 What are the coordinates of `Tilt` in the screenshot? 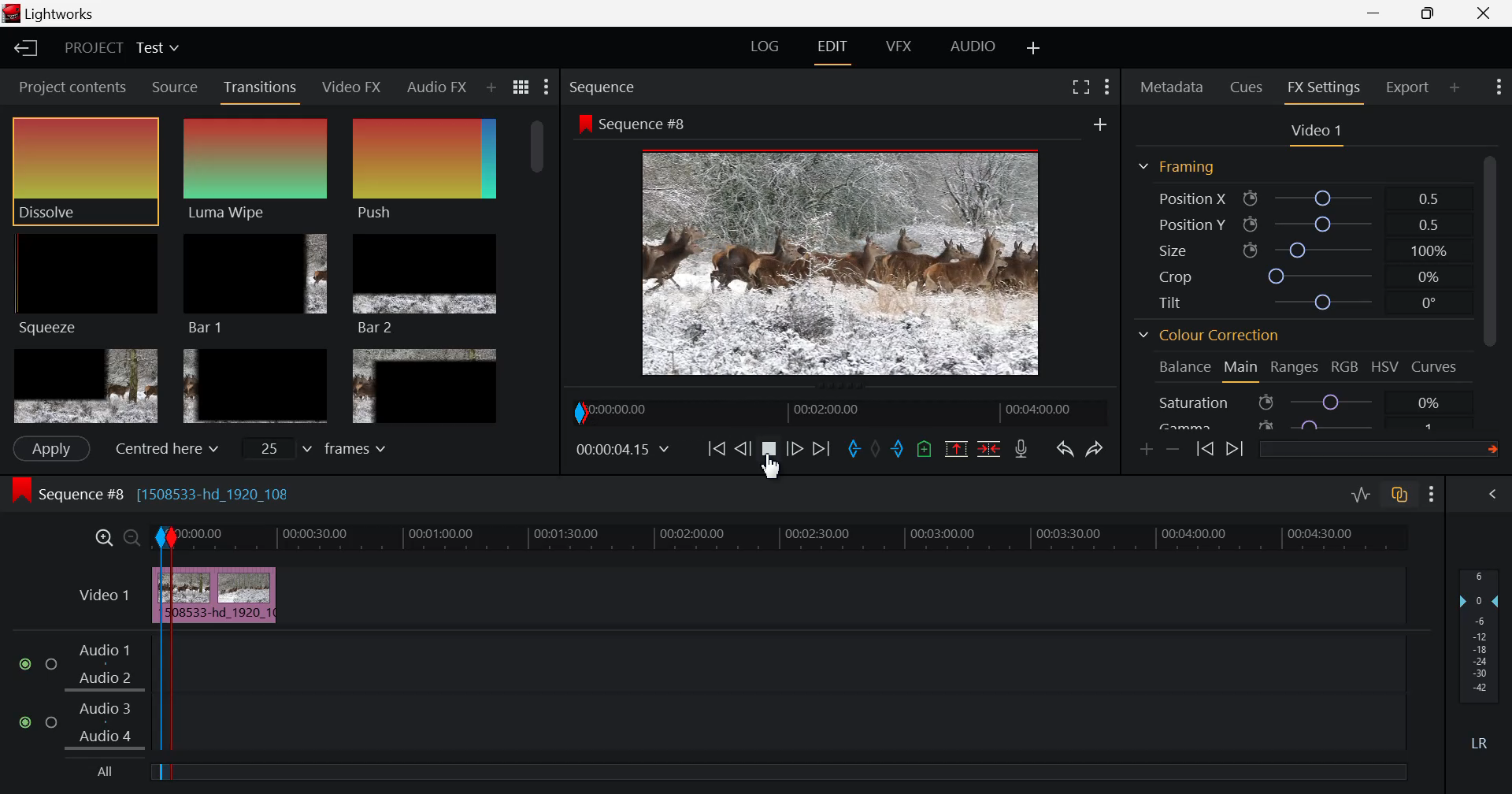 It's located at (1303, 304).